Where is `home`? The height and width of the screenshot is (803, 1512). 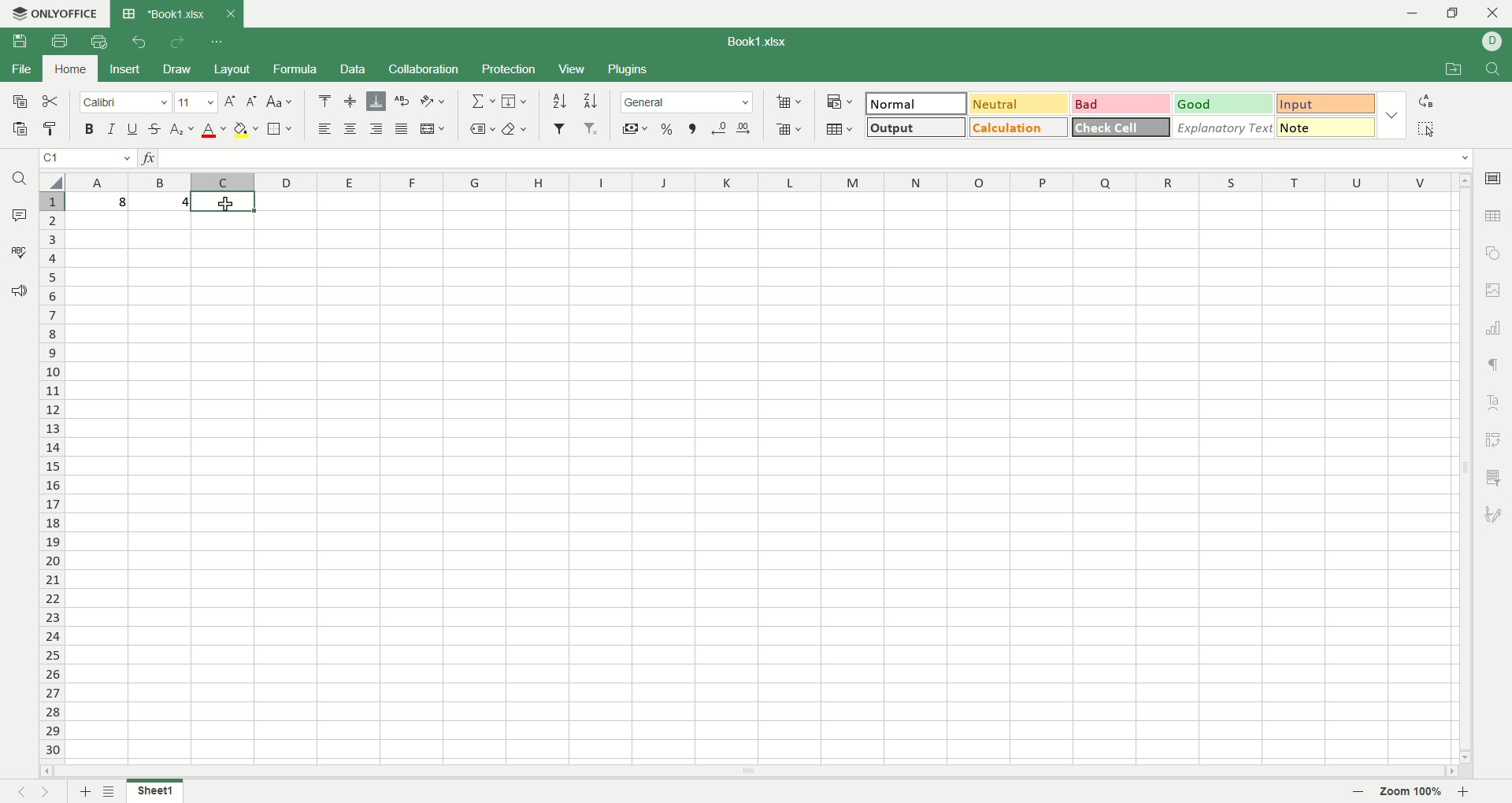 home is located at coordinates (71, 68).